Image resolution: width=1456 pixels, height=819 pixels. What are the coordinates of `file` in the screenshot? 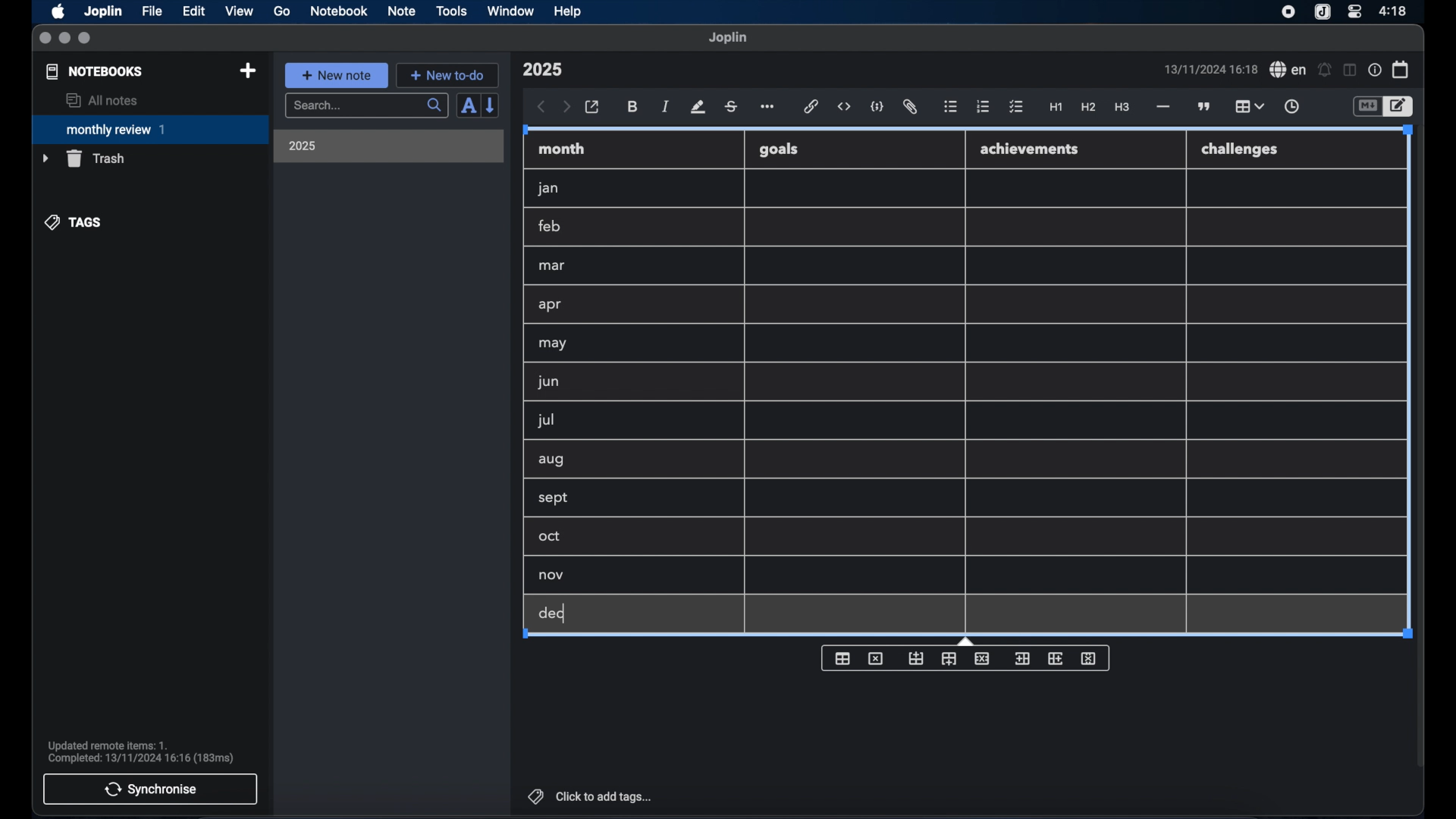 It's located at (152, 11).